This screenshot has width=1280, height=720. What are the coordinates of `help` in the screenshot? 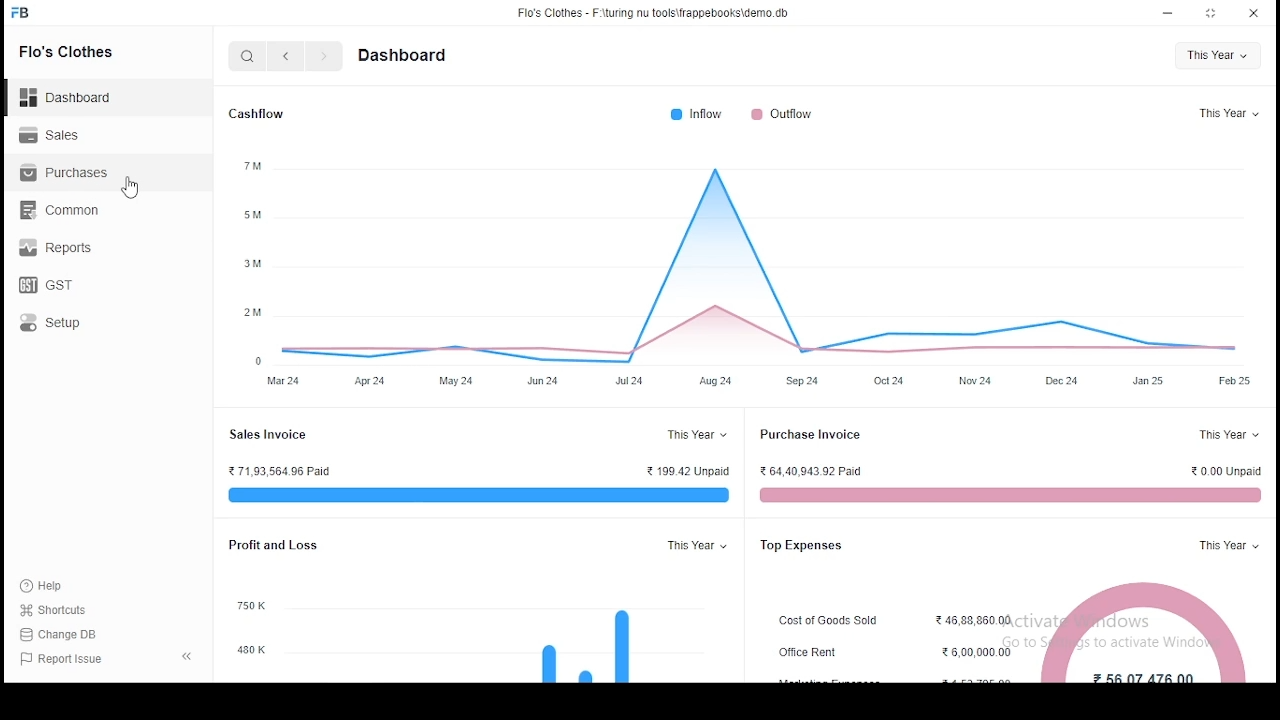 It's located at (46, 583).